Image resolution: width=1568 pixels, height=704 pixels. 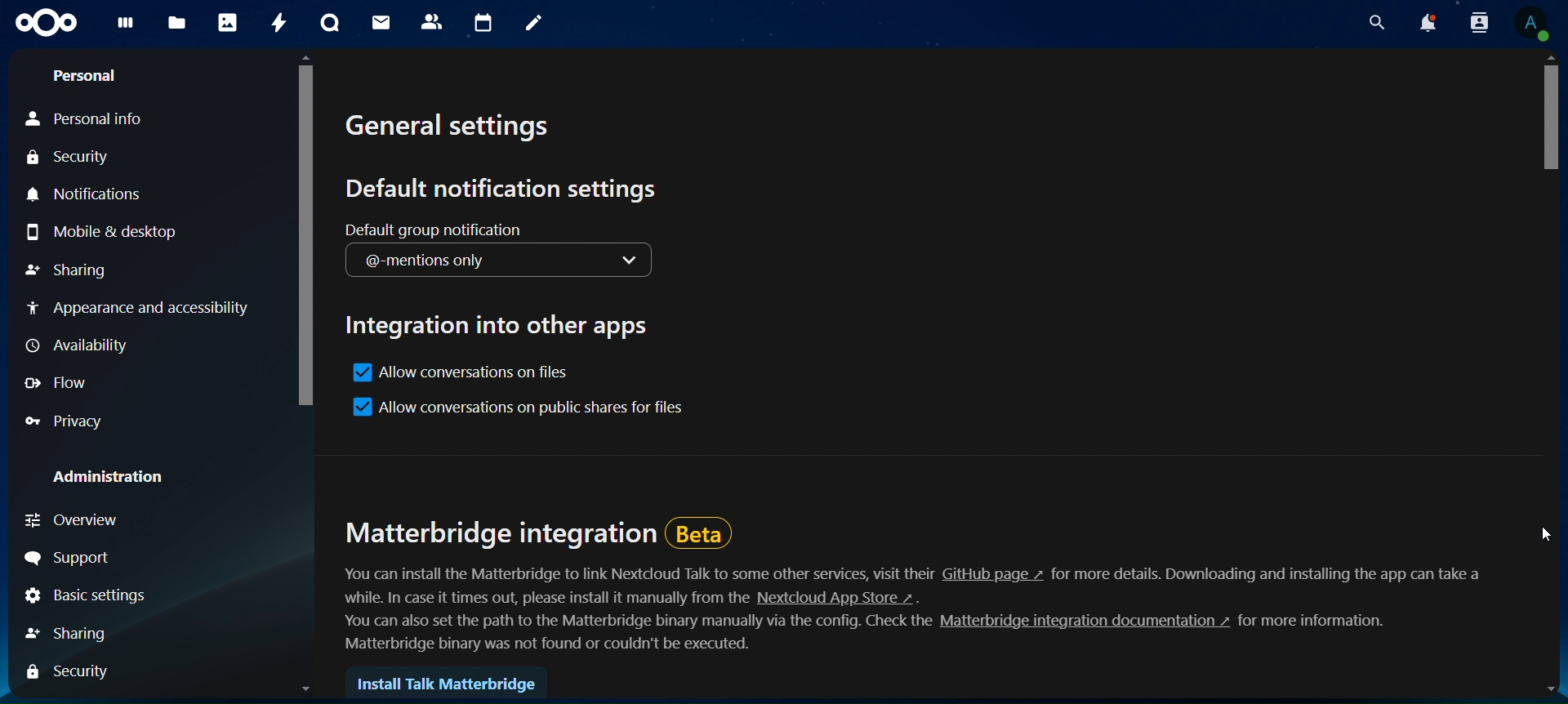 What do you see at coordinates (95, 196) in the screenshot?
I see `notifications` at bounding box center [95, 196].